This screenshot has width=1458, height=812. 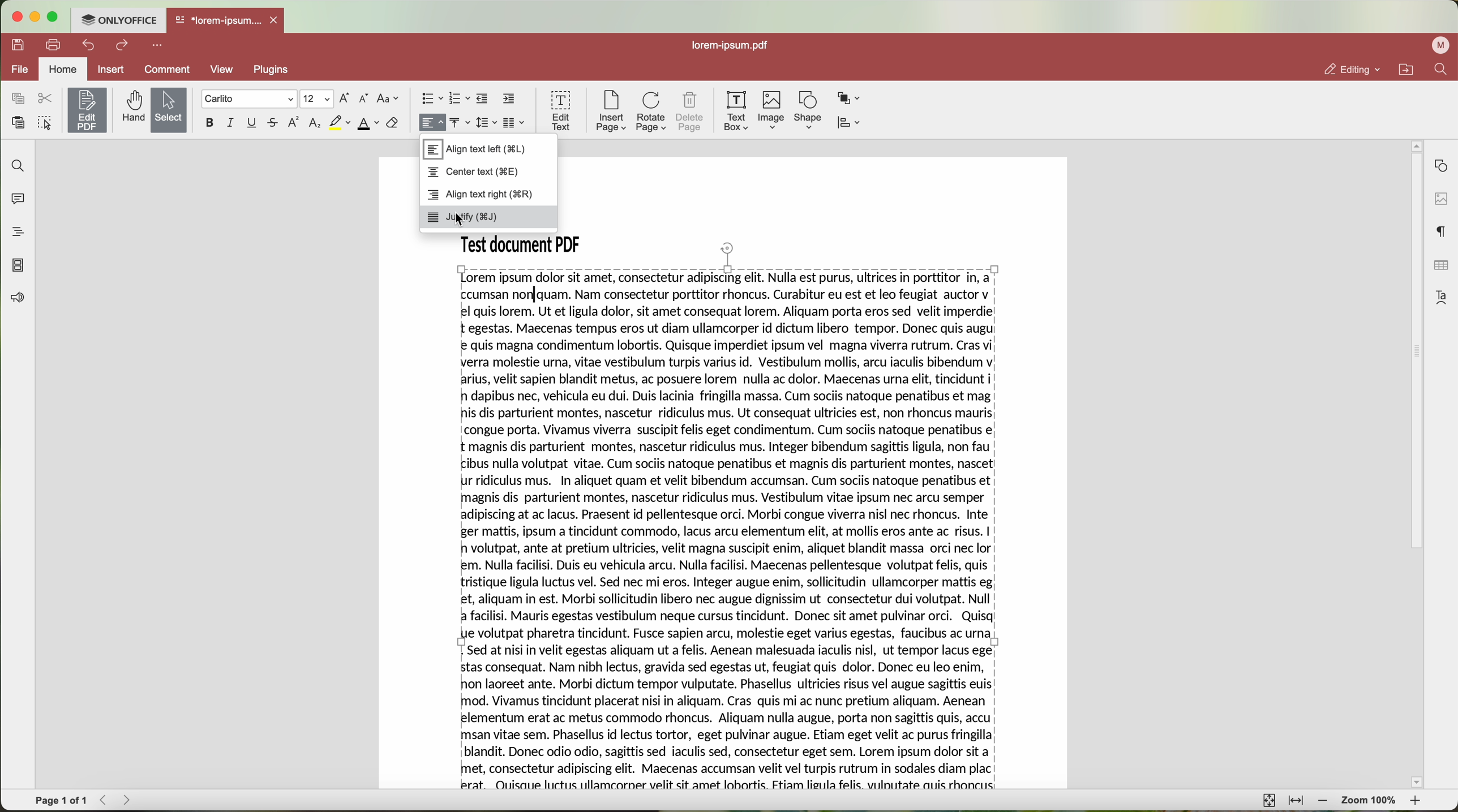 What do you see at coordinates (272, 70) in the screenshot?
I see `Plugins` at bounding box center [272, 70].